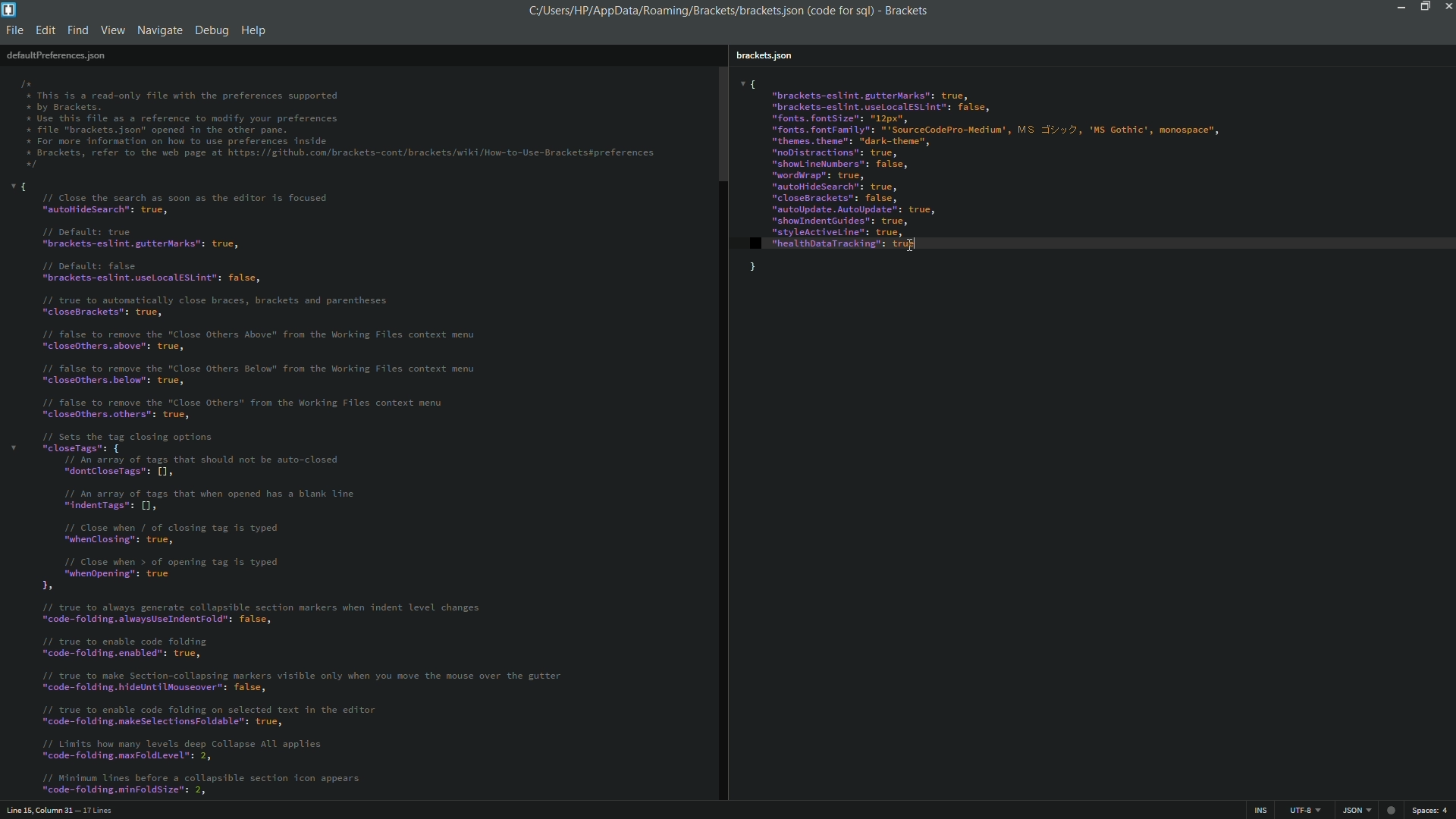  Describe the element at coordinates (986, 177) in the screenshot. I see `Setting options` at that location.